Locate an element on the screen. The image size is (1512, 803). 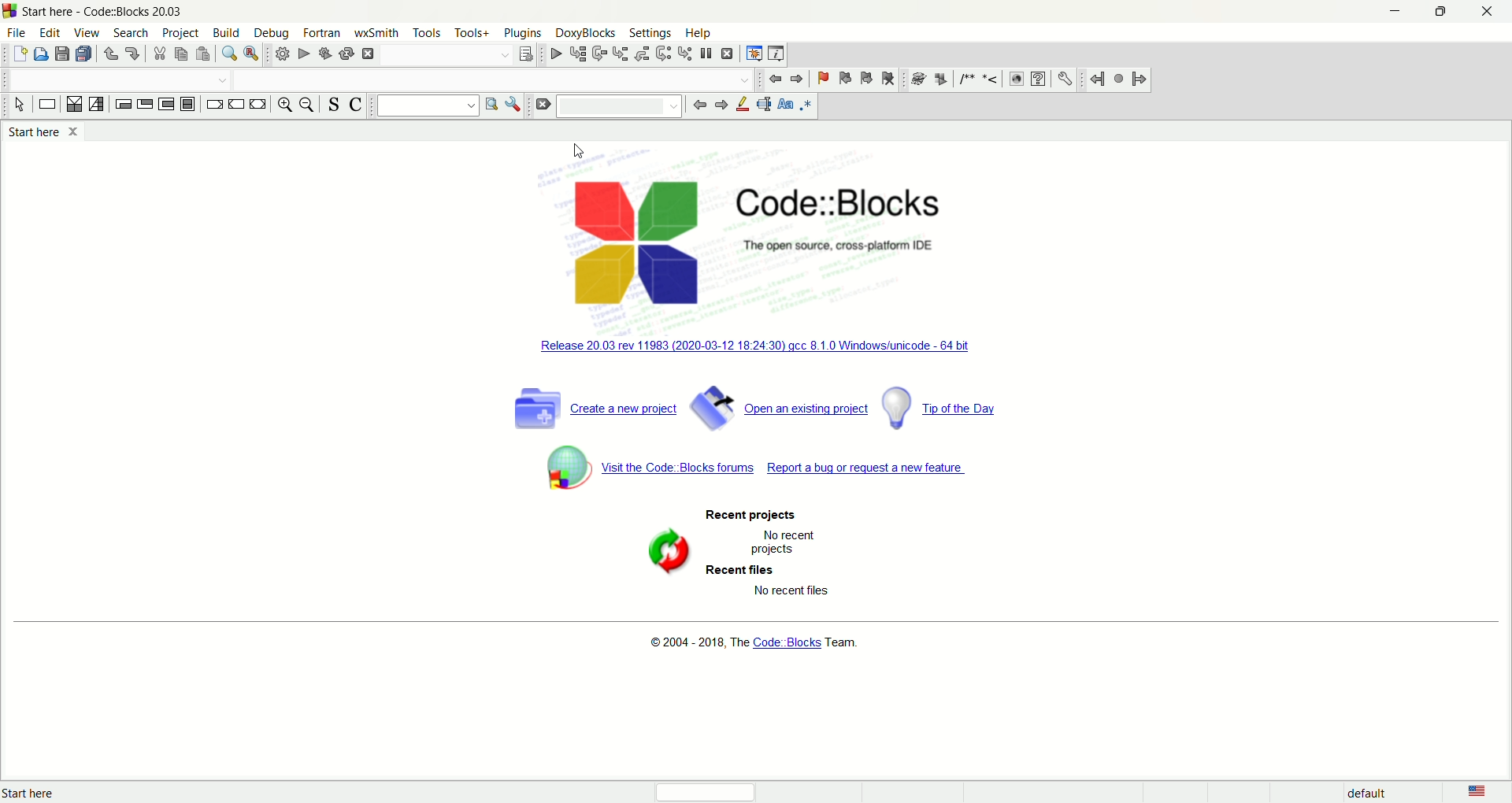
step into instruction is located at coordinates (684, 54).